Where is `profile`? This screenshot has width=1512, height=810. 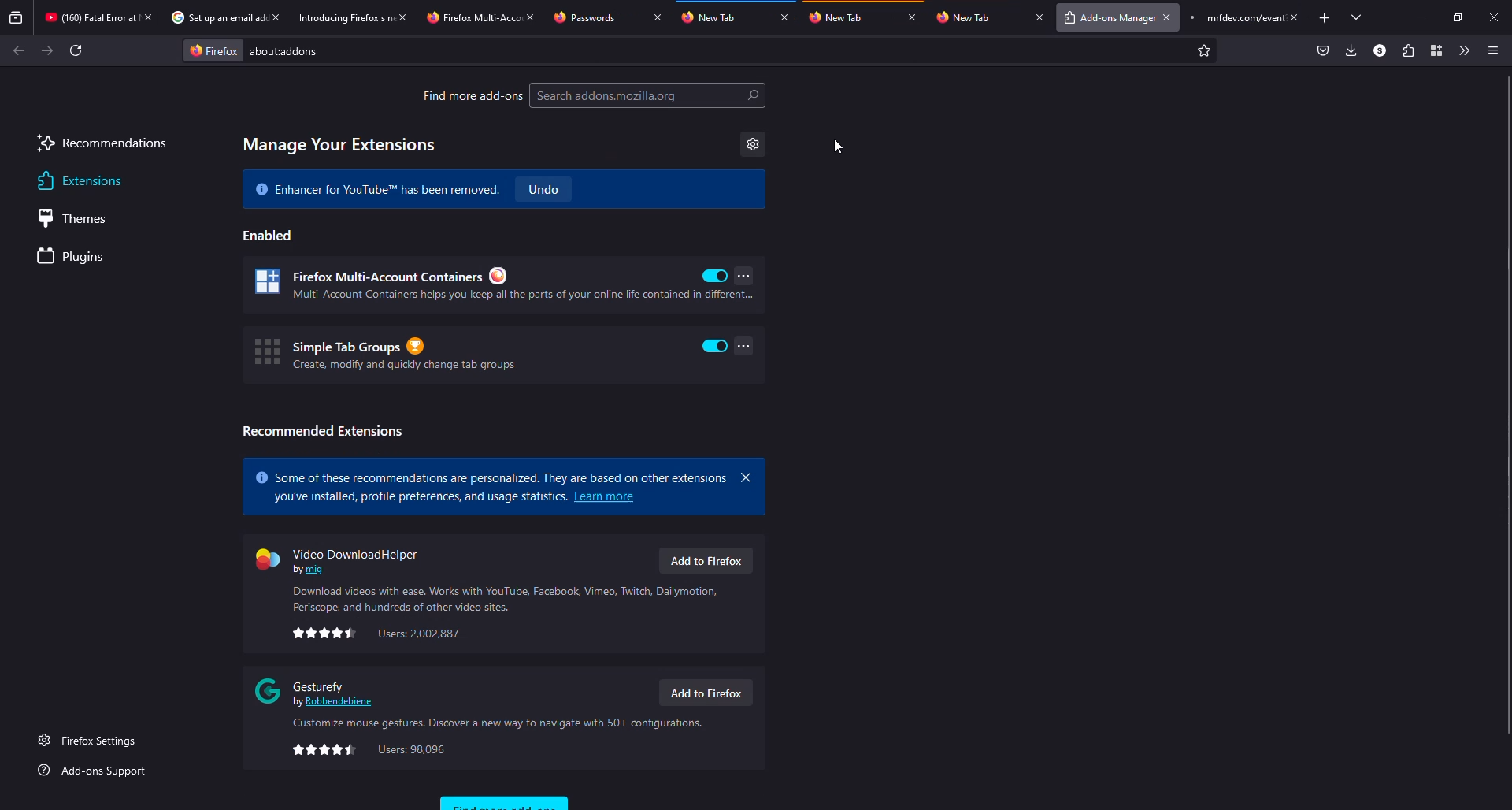
profile is located at coordinates (1380, 50).